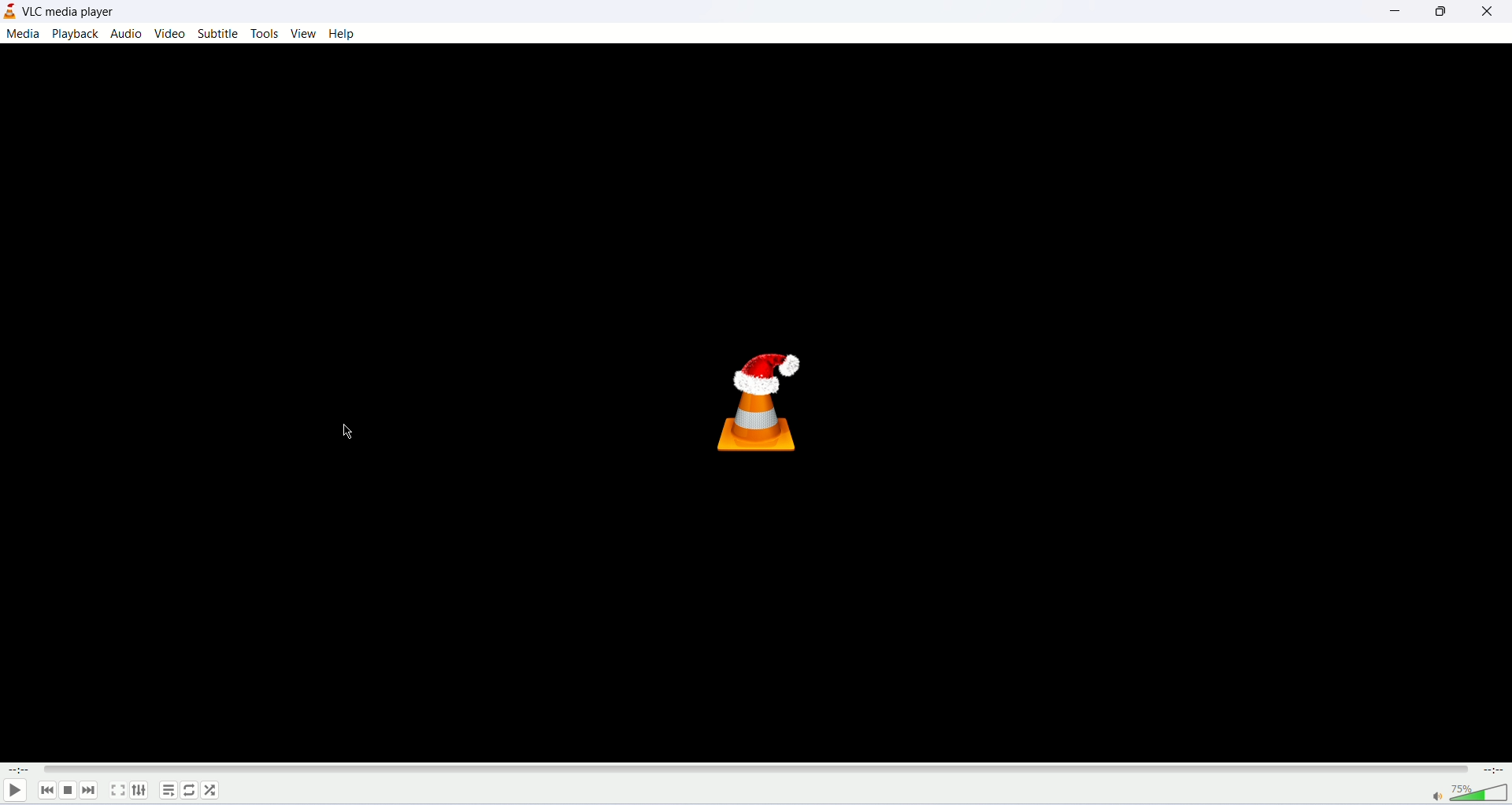 The width and height of the screenshot is (1512, 805). What do you see at coordinates (1458, 792) in the screenshot?
I see `volume bar` at bounding box center [1458, 792].